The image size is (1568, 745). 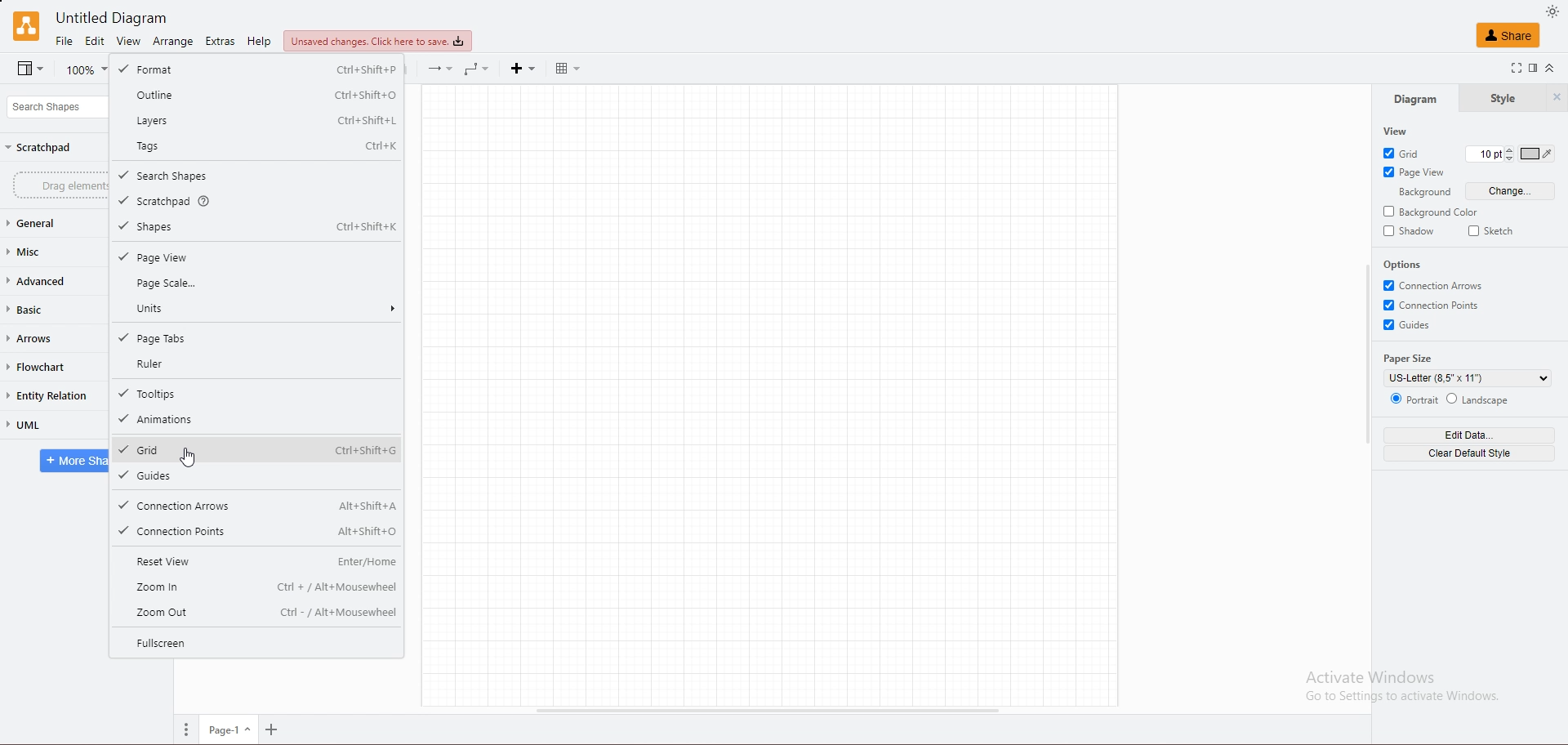 I want to click on view, so click(x=1394, y=132).